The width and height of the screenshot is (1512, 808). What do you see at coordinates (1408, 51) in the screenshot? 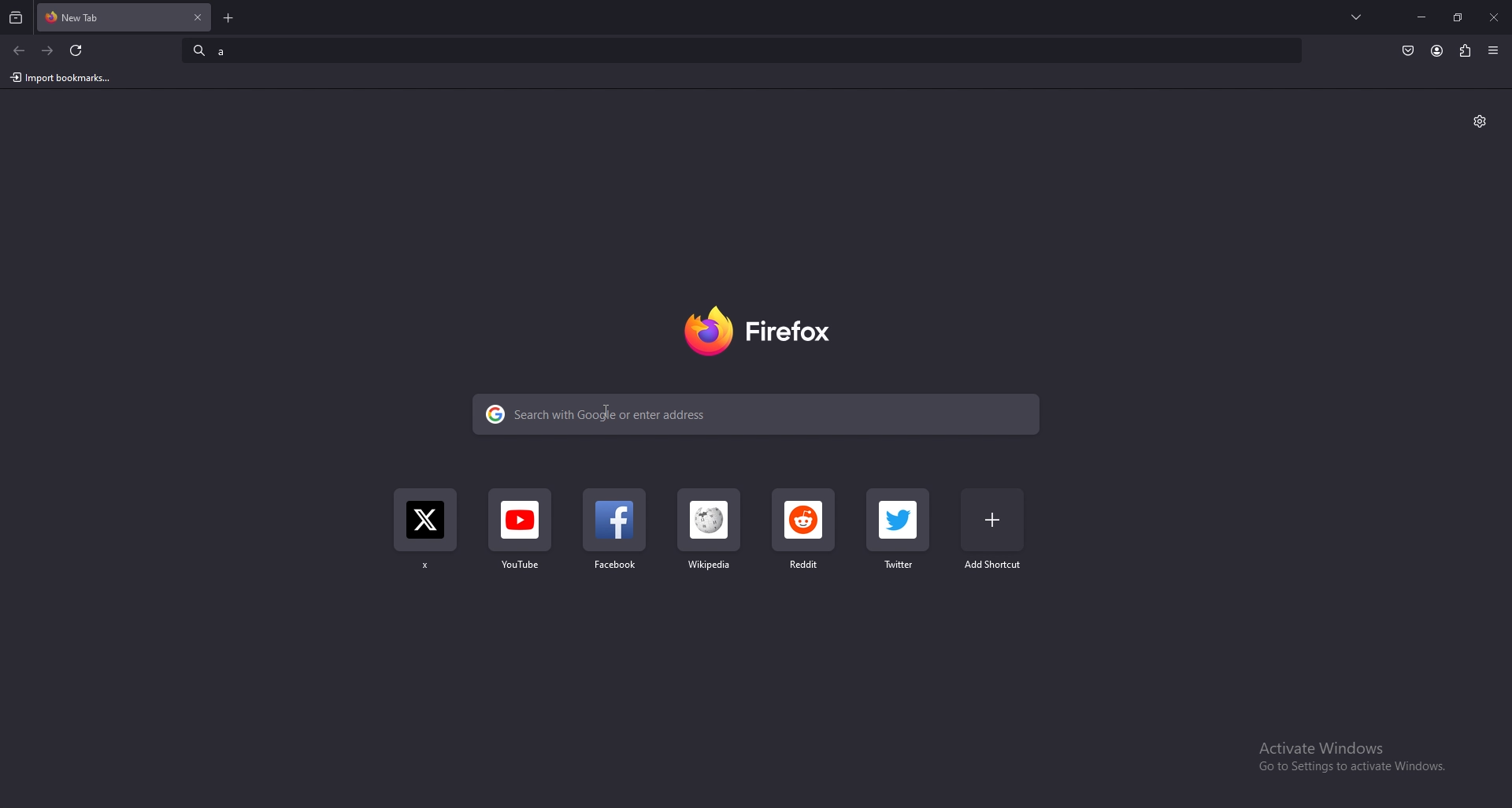
I see `save to pocket` at bounding box center [1408, 51].